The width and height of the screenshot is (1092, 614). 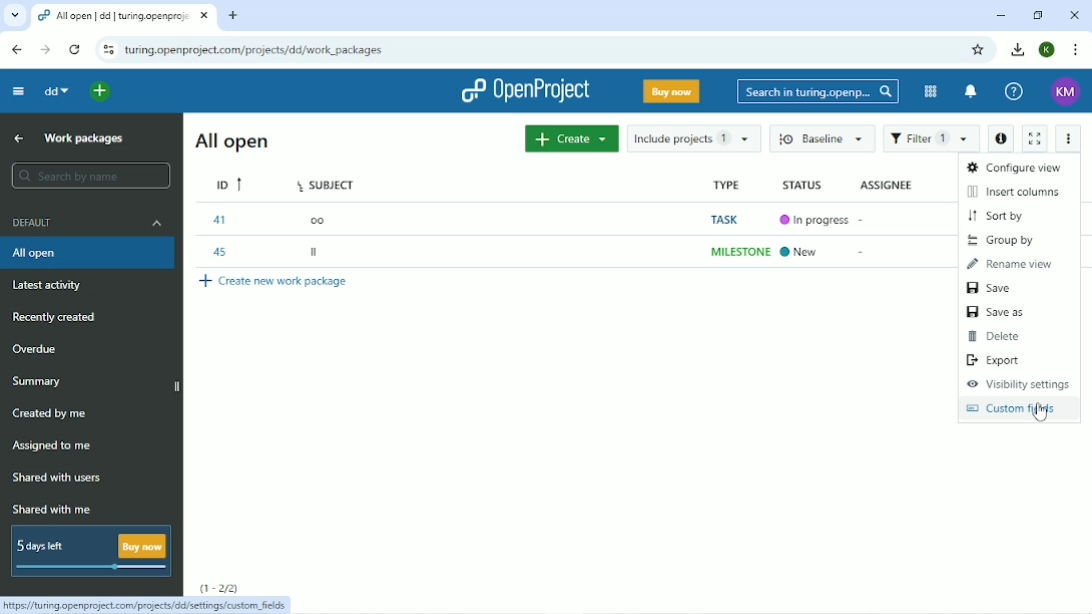 What do you see at coordinates (218, 587) in the screenshot?
I see `(1-2/2)` at bounding box center [218, 587].